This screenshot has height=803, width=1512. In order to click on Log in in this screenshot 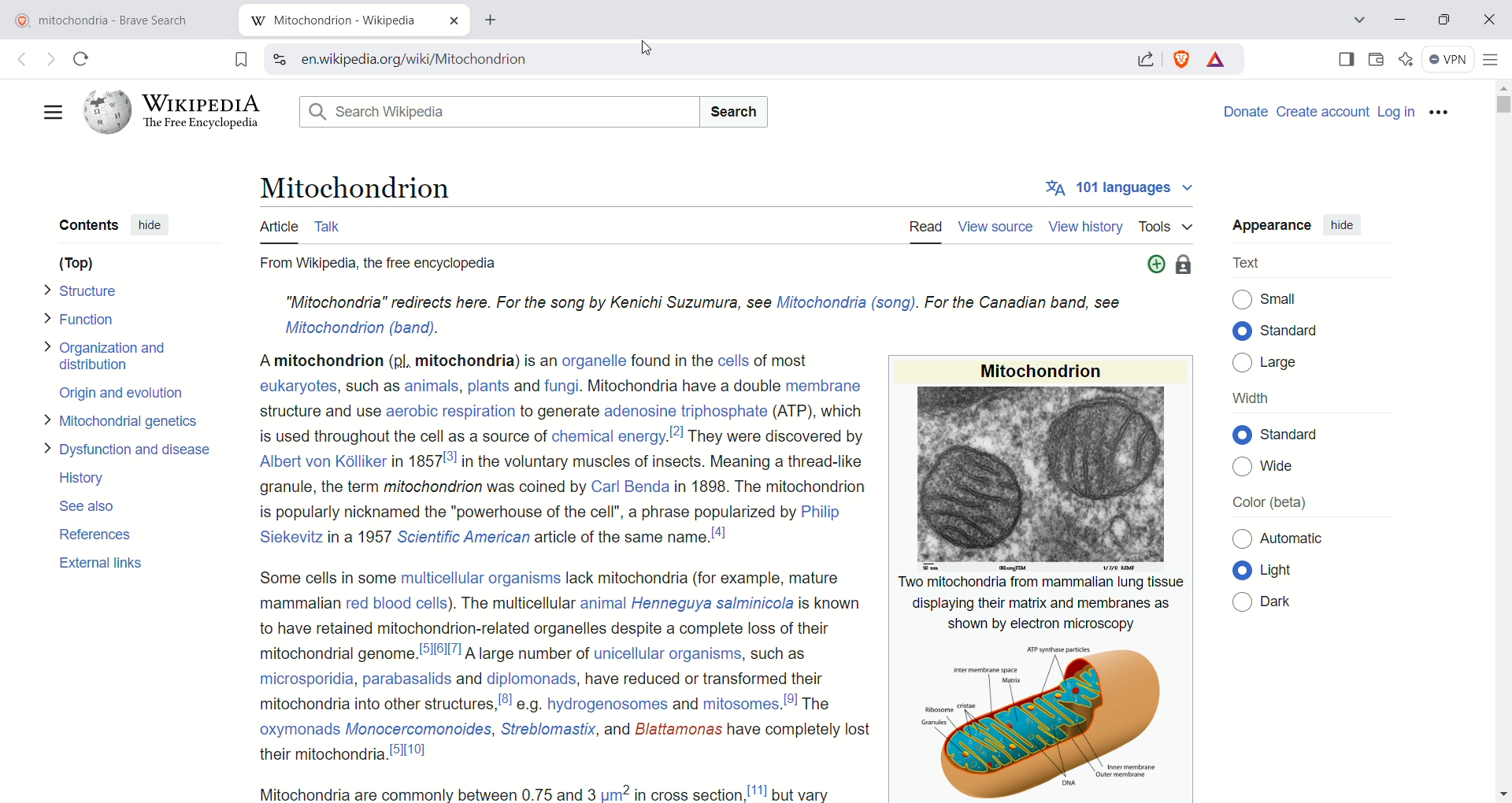, I will do `click(1396, 113)`.